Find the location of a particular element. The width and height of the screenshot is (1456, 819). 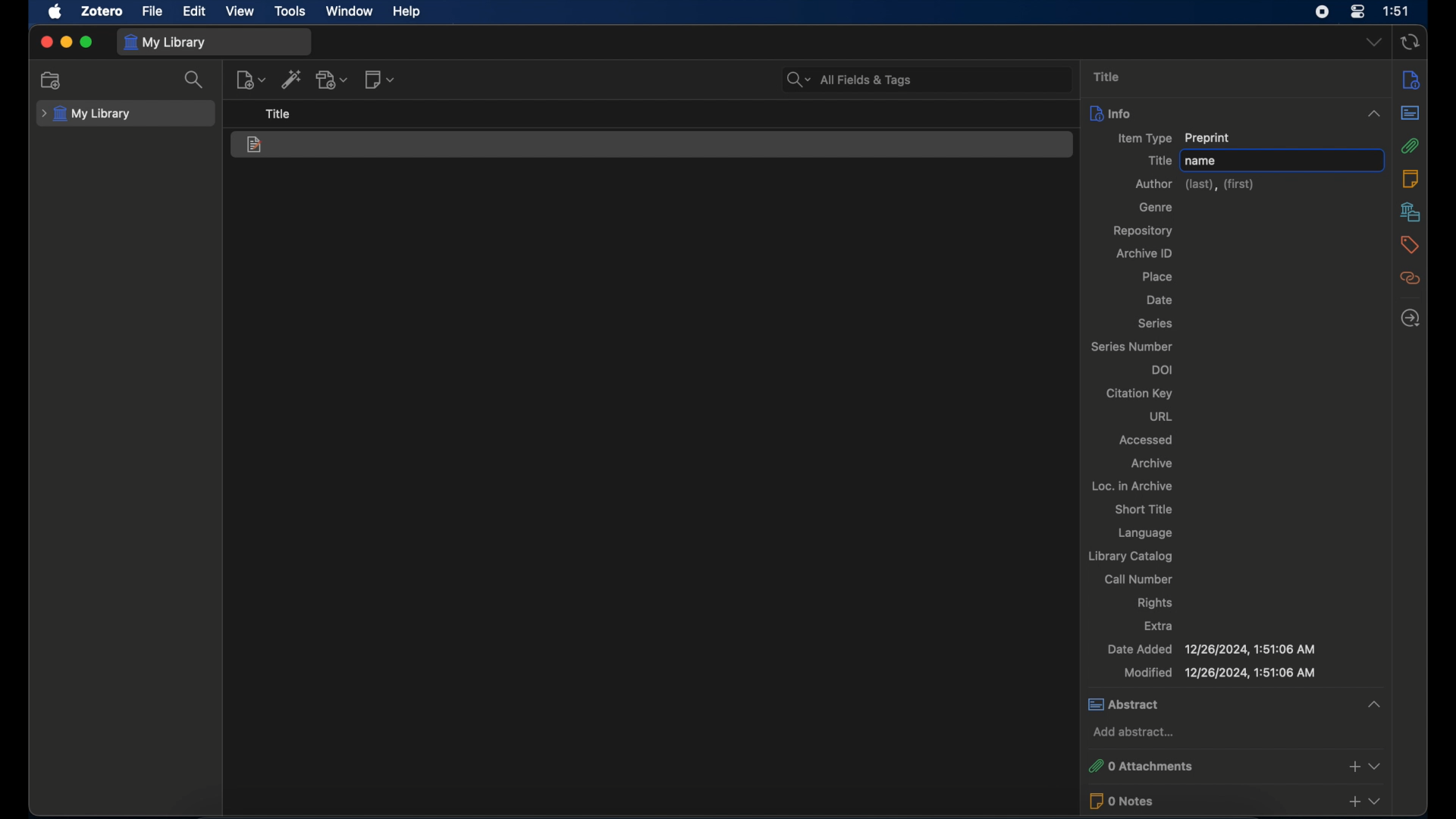

attachments is located at coordinates (1411, 146).